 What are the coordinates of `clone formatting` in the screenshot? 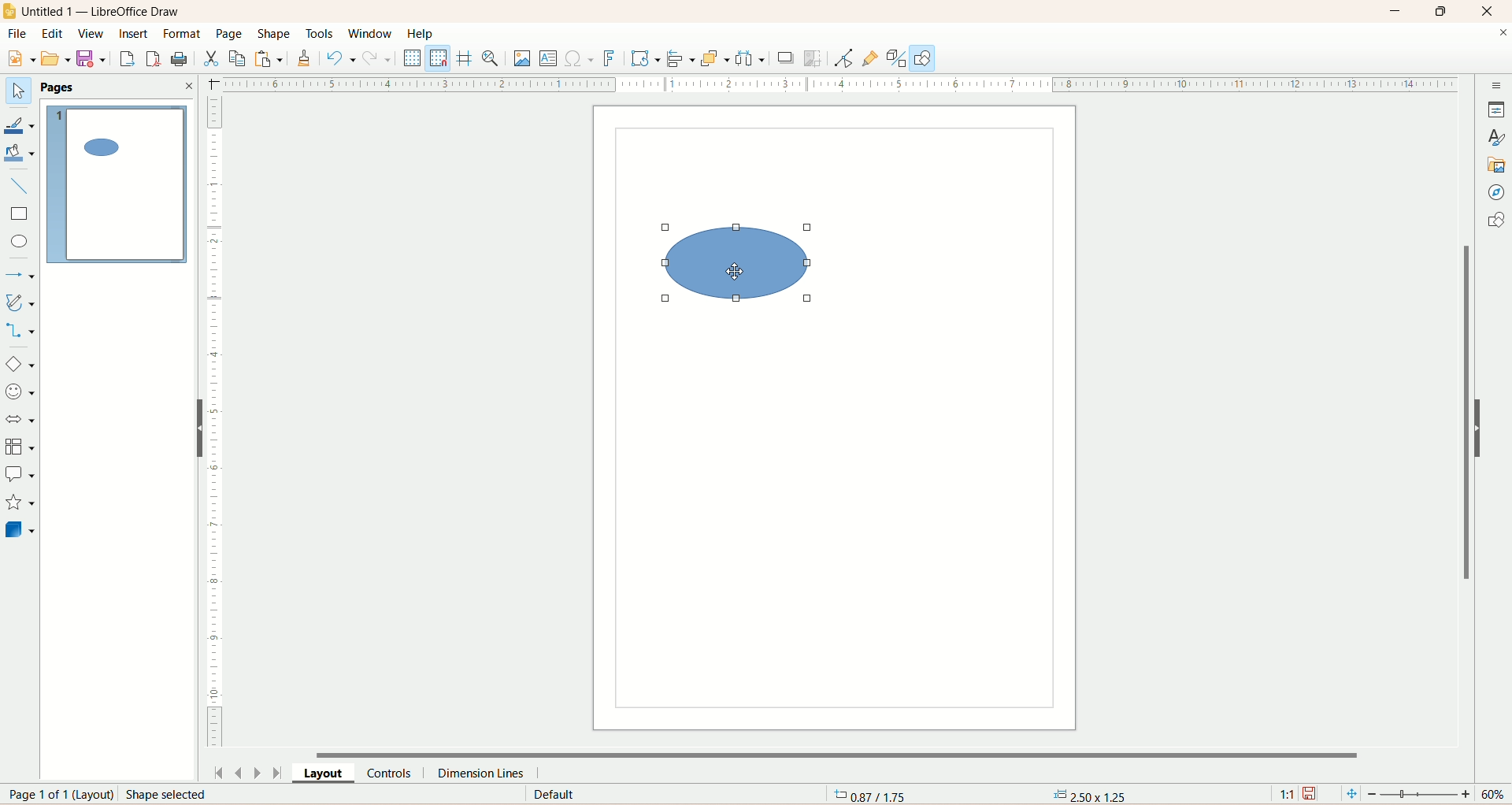 It's located at (308, 58).